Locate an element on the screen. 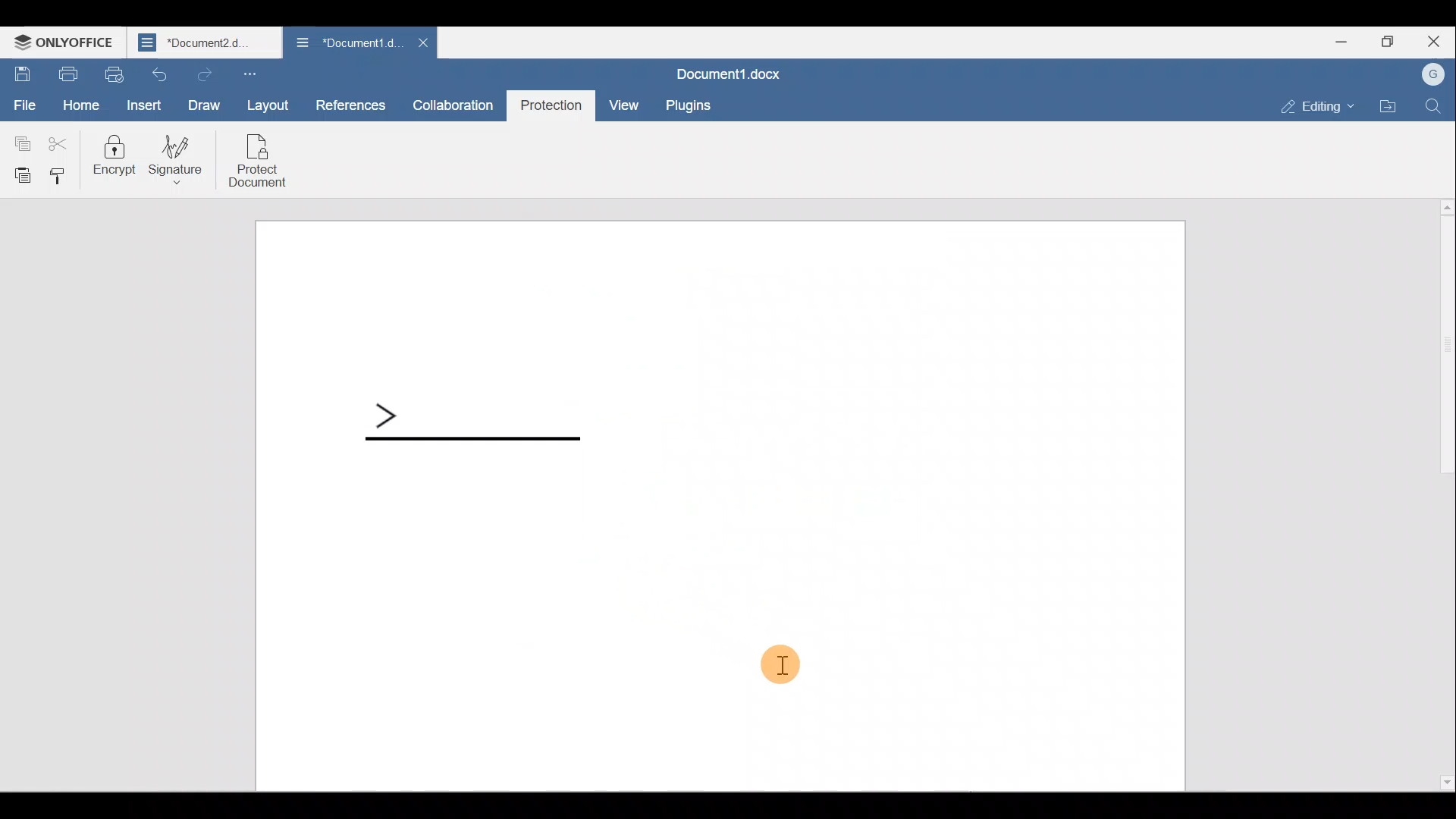 This screenshot has width=1456, height=819. Editing mode is located at coordinates (1320, 106).